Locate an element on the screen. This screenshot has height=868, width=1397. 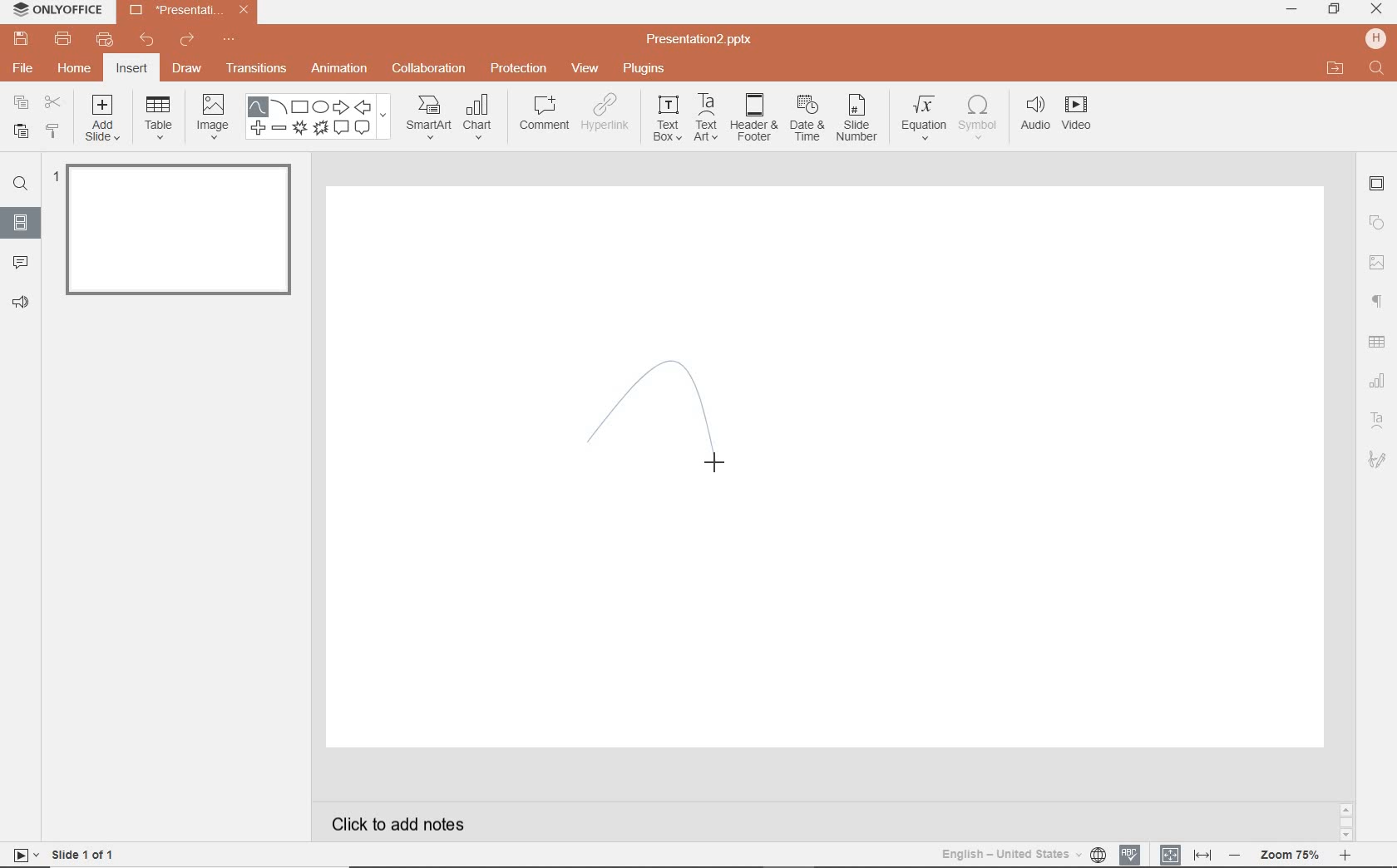
RESTORE is located at coordinates (1335, 9).